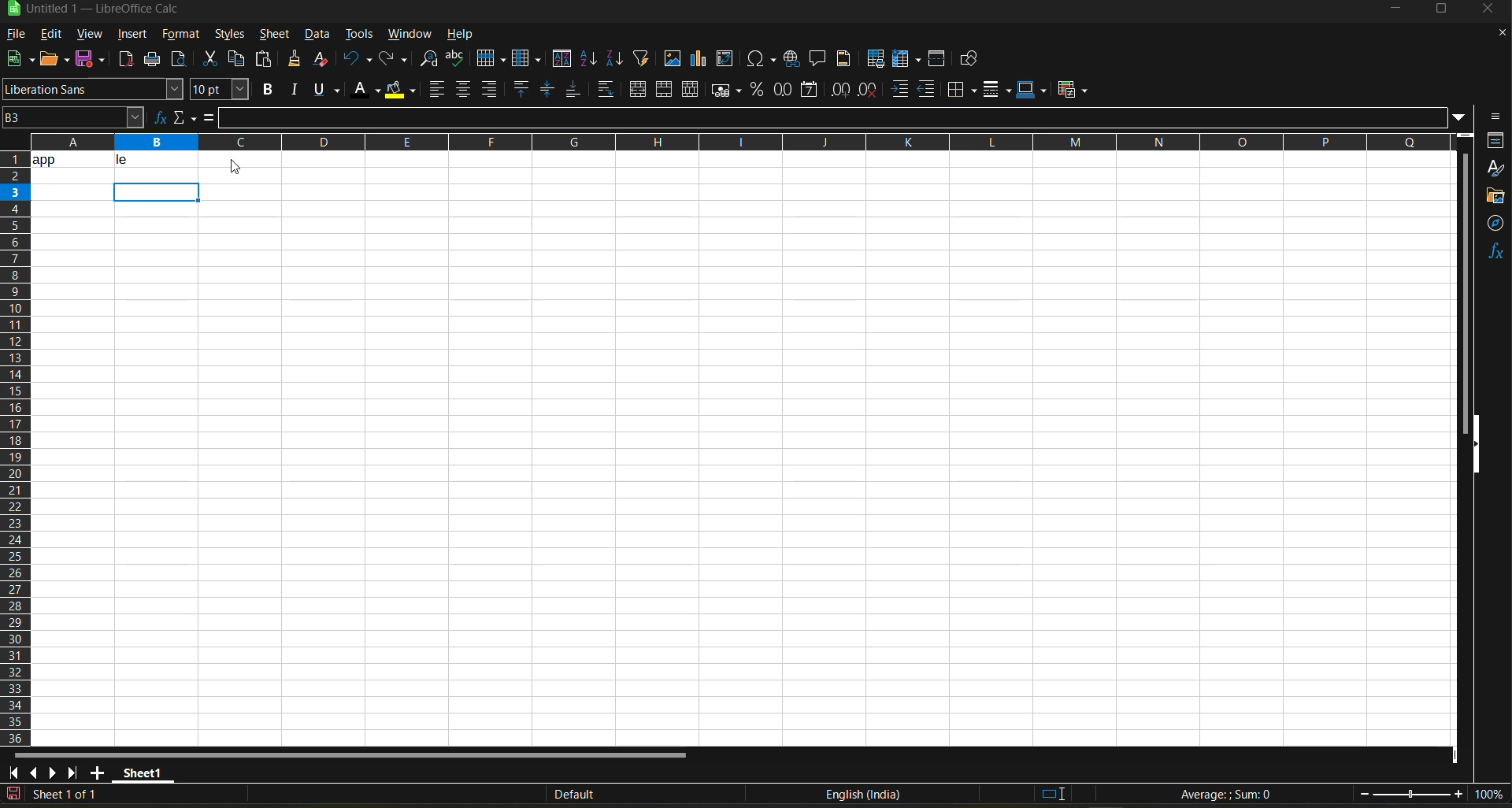  Describe the element at coordinates (94, 90) in the screenshot. I see `font name` at that location.